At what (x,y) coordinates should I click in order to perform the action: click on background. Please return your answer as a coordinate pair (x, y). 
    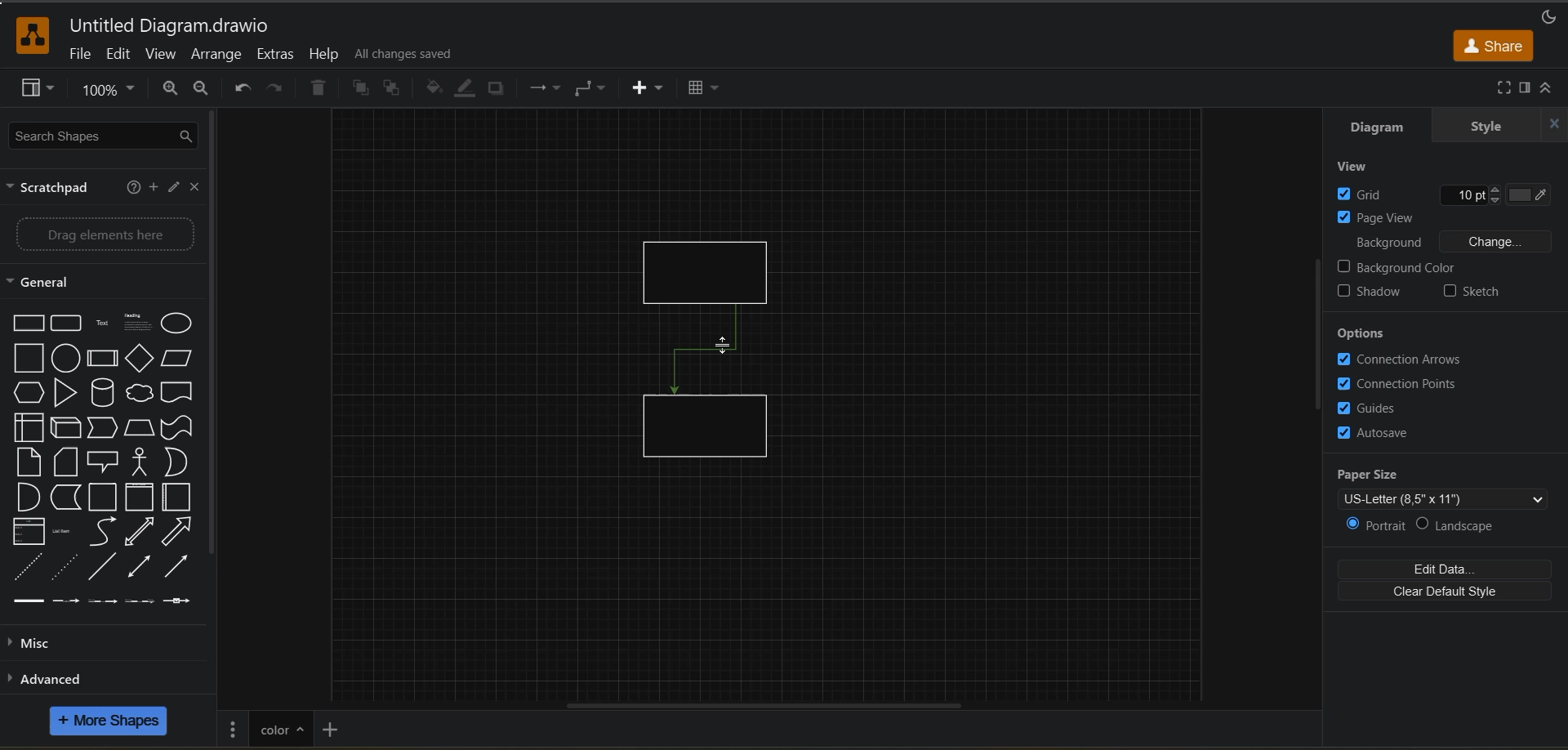
    Looking at the image, I should click on (1389, 240).